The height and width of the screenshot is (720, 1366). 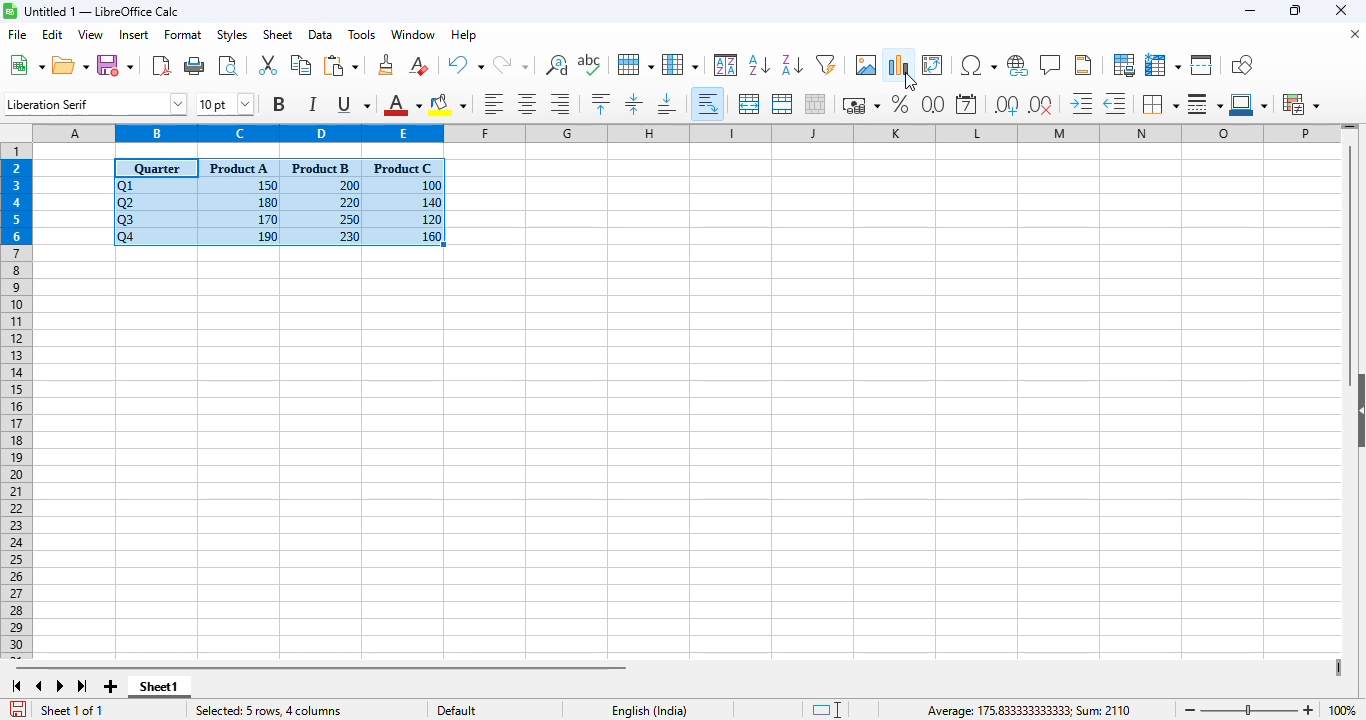 What do you see at coordinates (634, 103) in the screenshot?
I see `center vertically` at bounding box center [634, 103].